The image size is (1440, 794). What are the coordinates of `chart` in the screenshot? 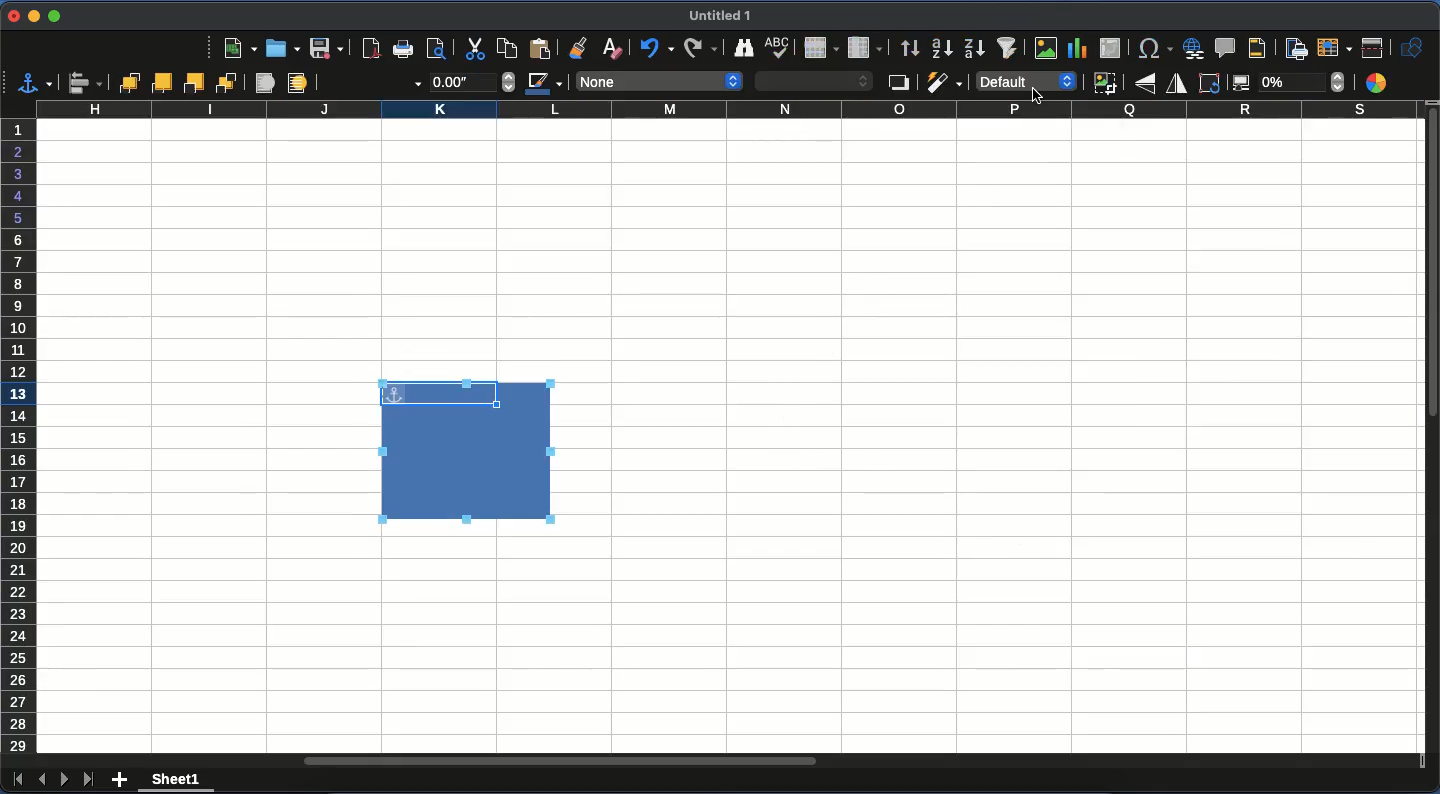 It's located at (1081, 49).